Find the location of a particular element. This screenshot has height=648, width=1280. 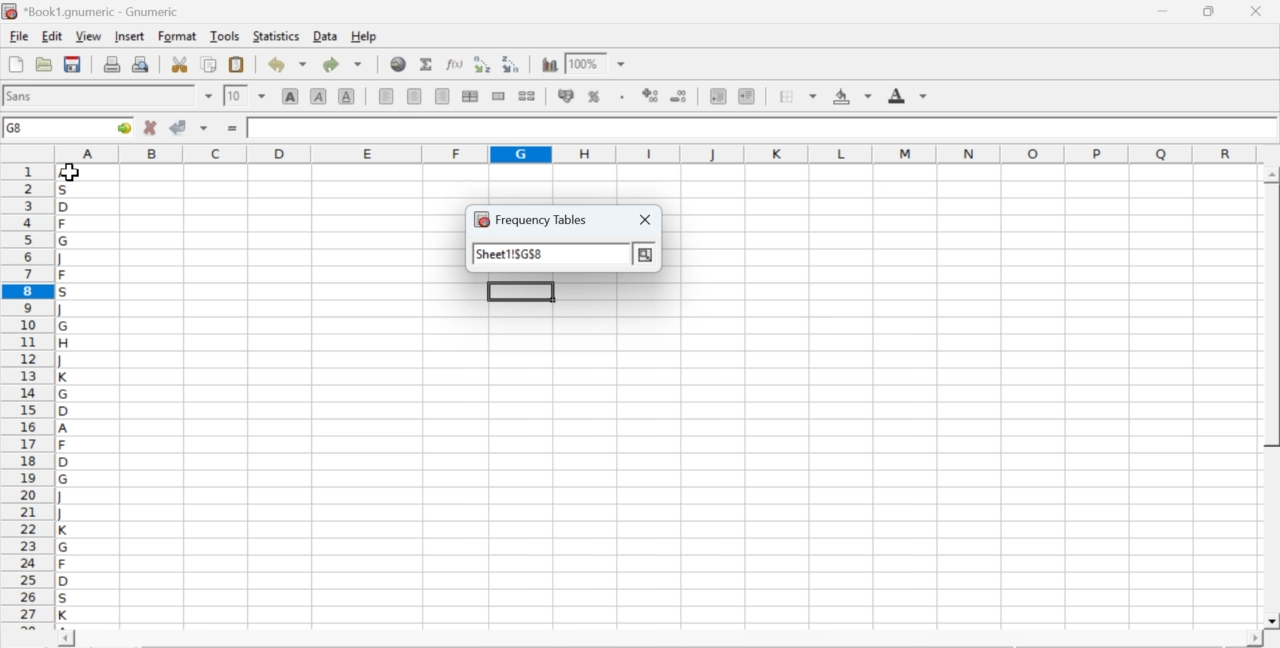

undo is located at coordinates (286, 65).